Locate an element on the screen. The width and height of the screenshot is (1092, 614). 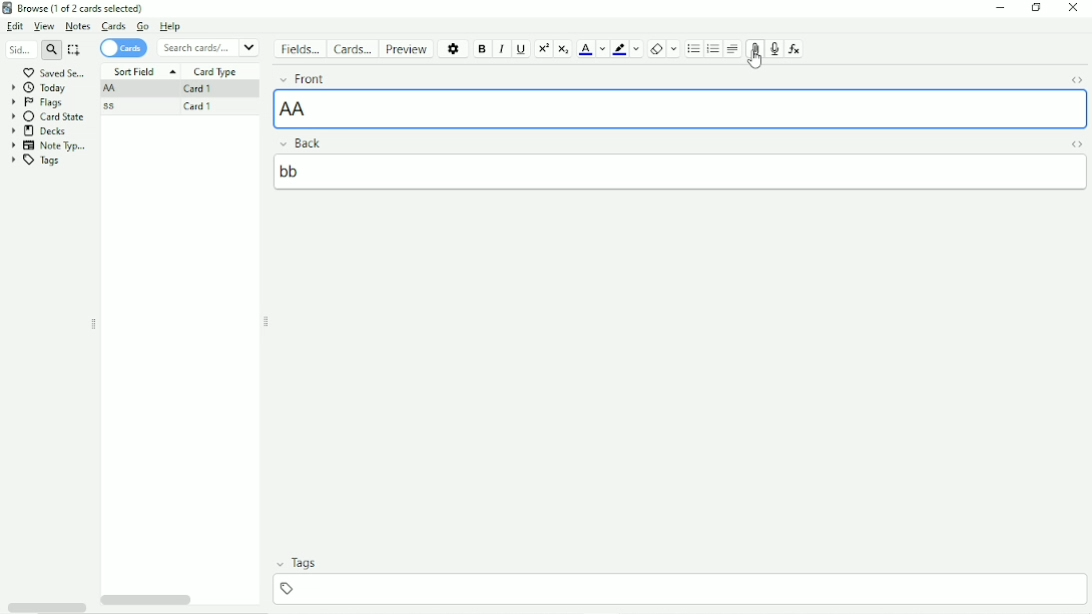
Fields is located at coordinates (299, 48).